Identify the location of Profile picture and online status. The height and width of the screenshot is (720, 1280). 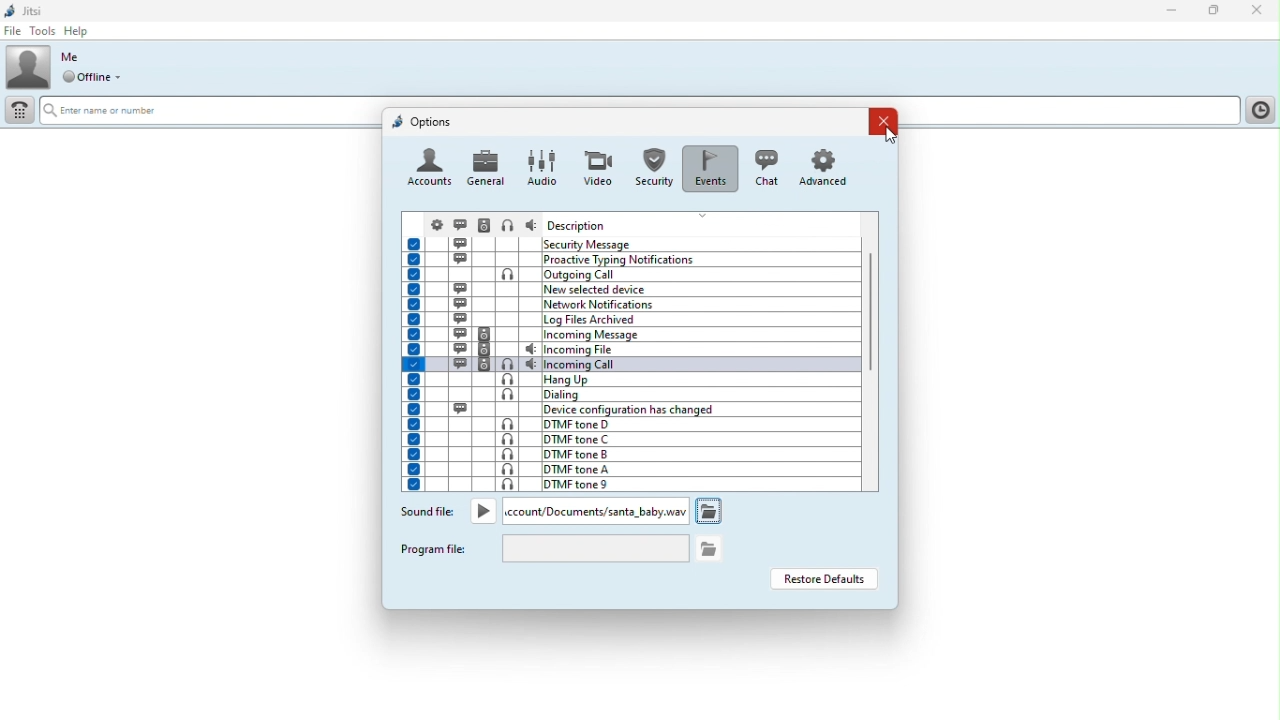
(70, 67).